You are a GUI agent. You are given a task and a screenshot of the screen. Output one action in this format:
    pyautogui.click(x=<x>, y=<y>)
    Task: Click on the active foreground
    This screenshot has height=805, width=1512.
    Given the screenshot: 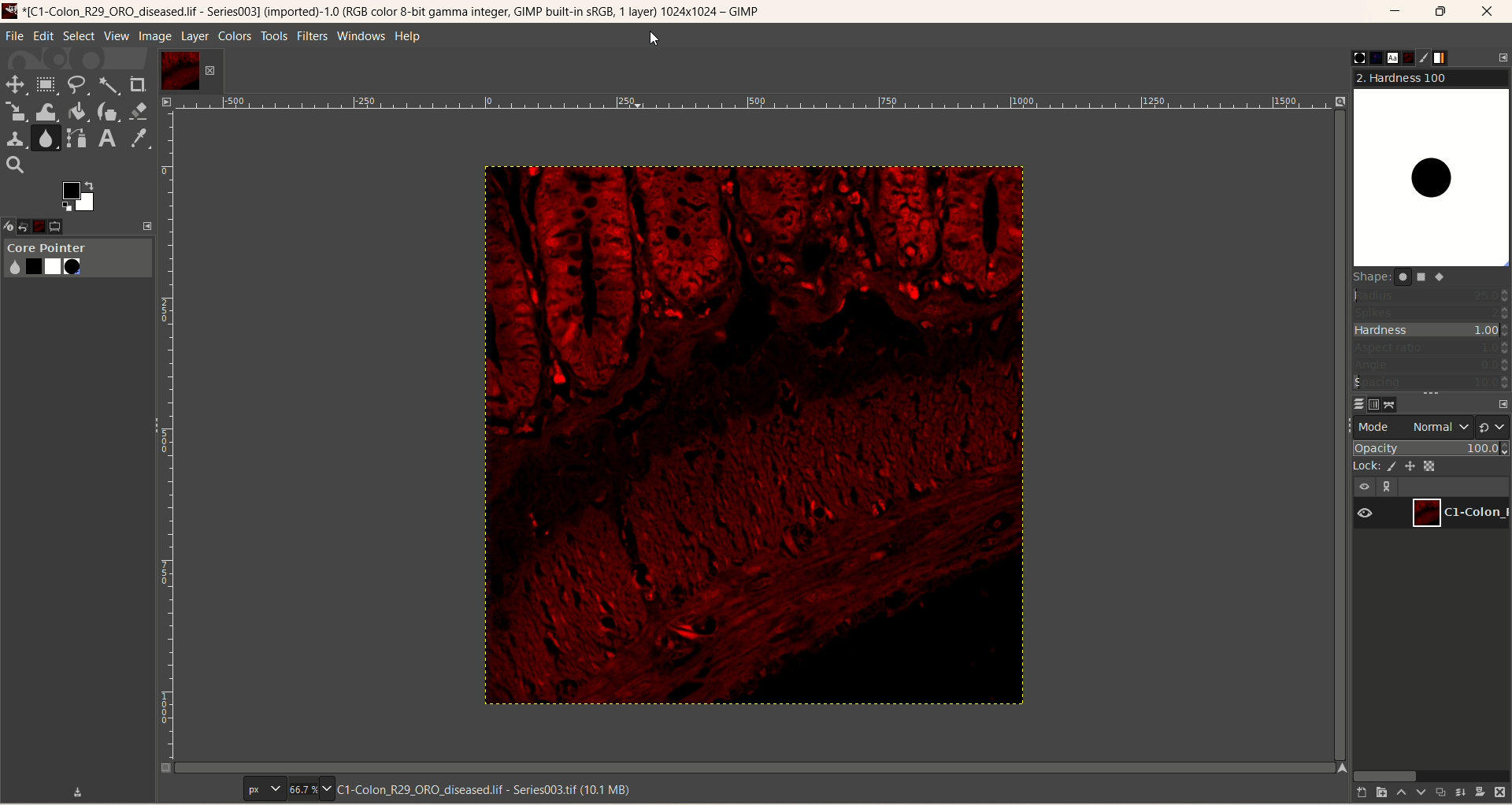 What is the action you would take?
    pyautogui.click(x=80, y=195)
    